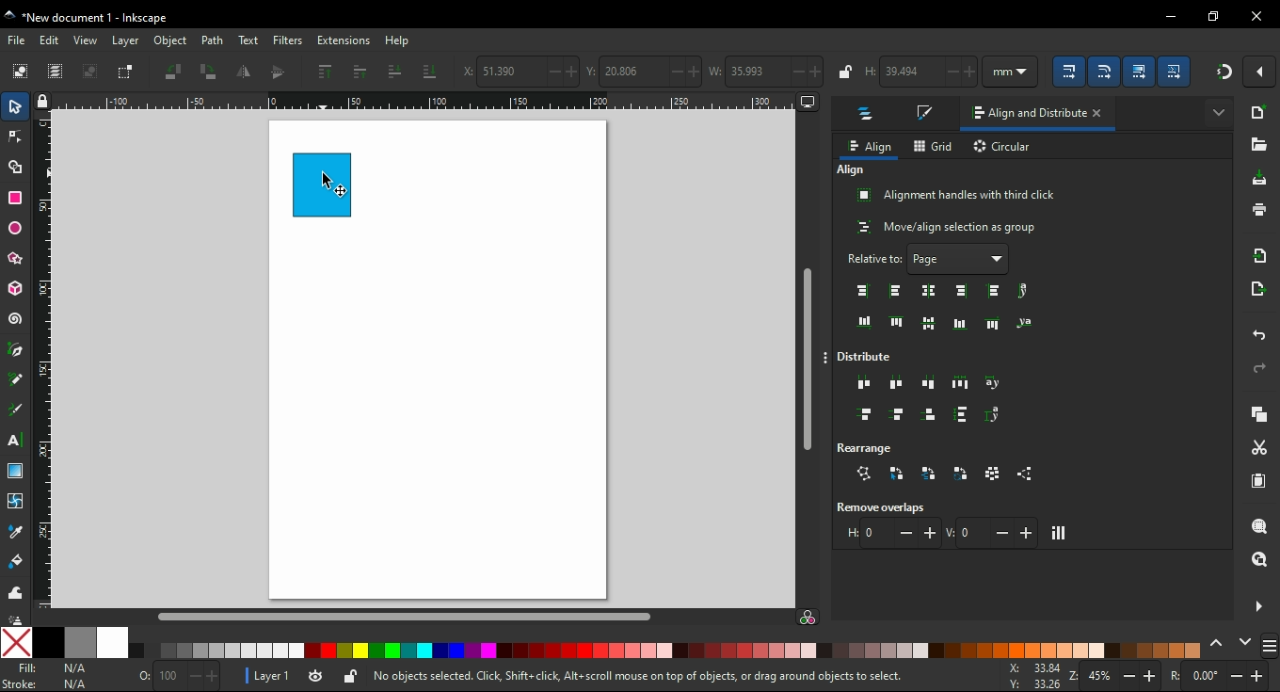 The width and height of the screenshot is (1280, 692). I want to click on units, so click(1017, 71).